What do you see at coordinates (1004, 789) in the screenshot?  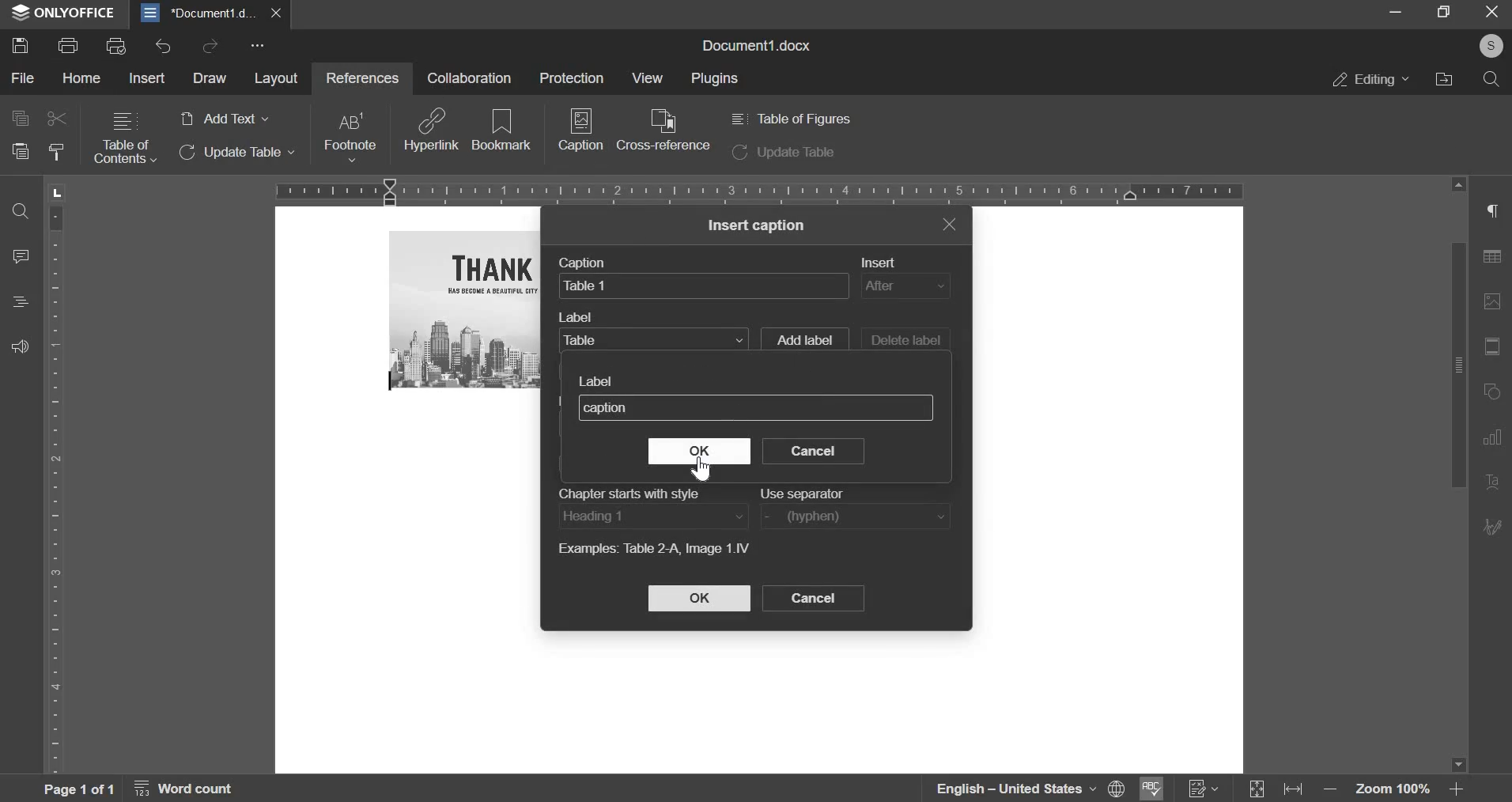 I see `language` at bounding box center [1004, 789].